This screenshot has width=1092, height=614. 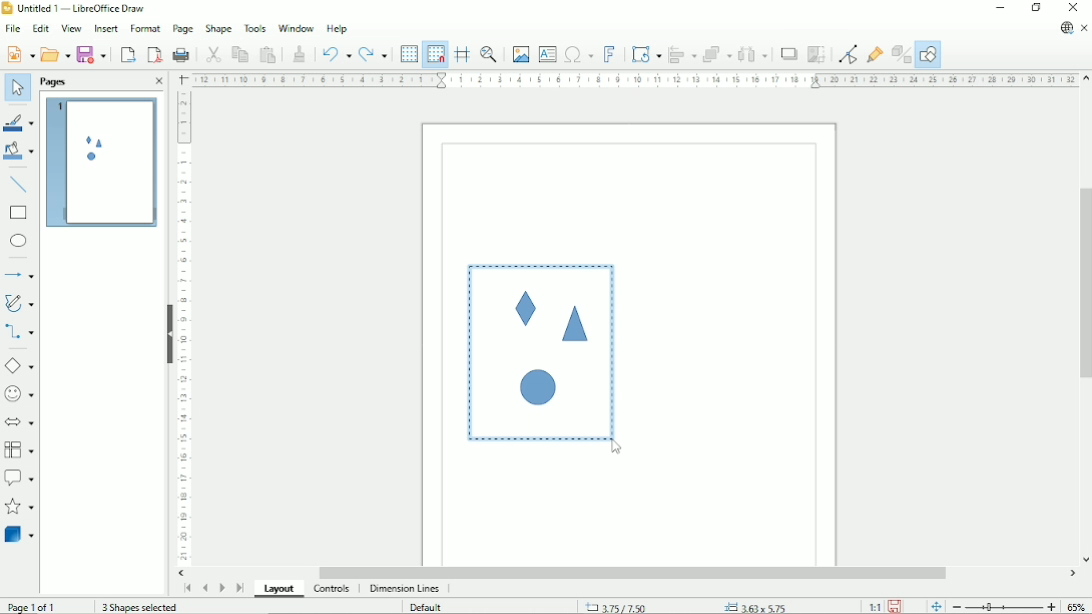 What do you see at coordinates (54, 53) in the screenshot?
I see `Open` at bounding box center [54, 53].